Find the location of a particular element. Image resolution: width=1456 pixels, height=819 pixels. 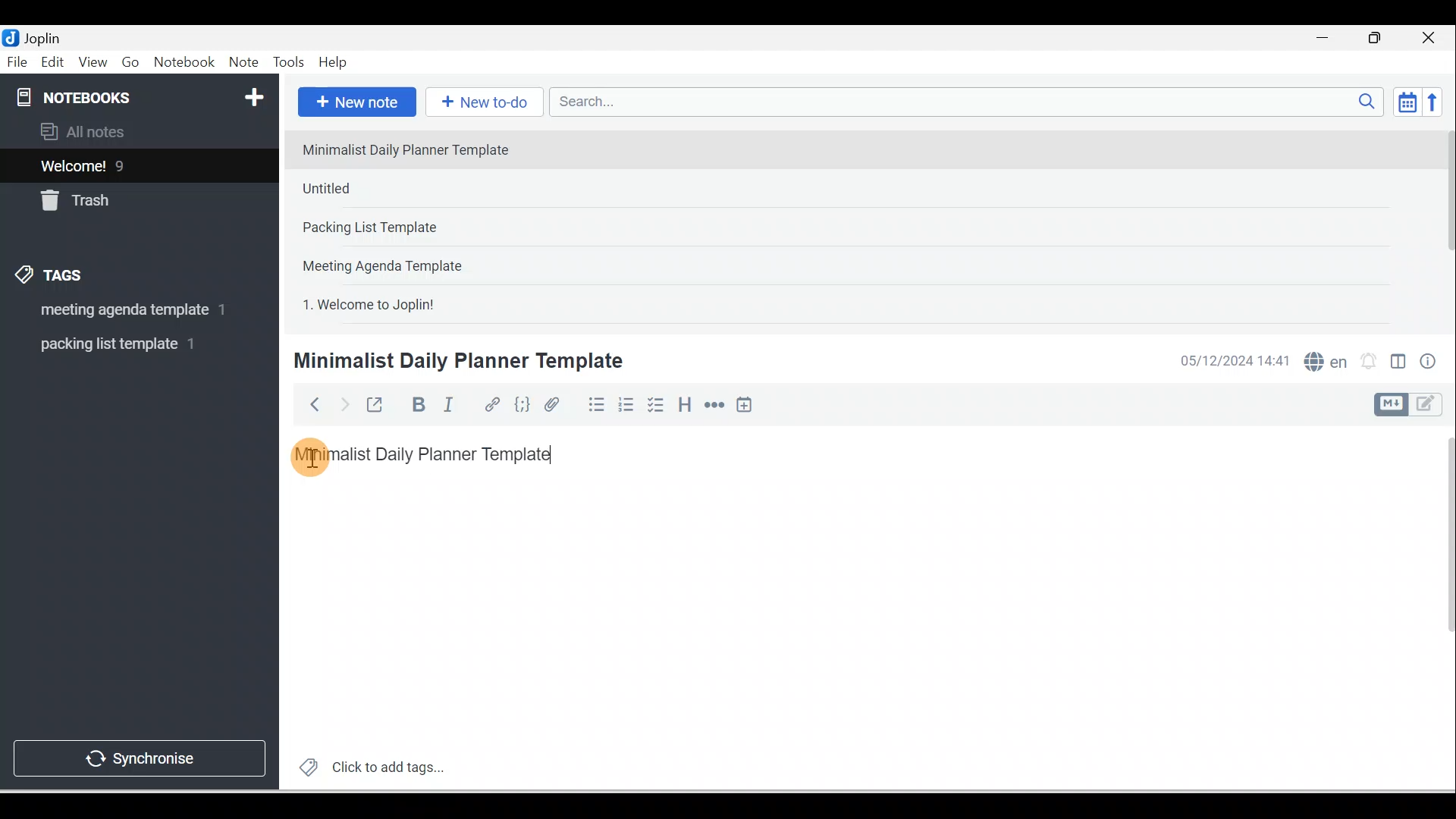

Hyperlink is located at coordinates (491, 406).